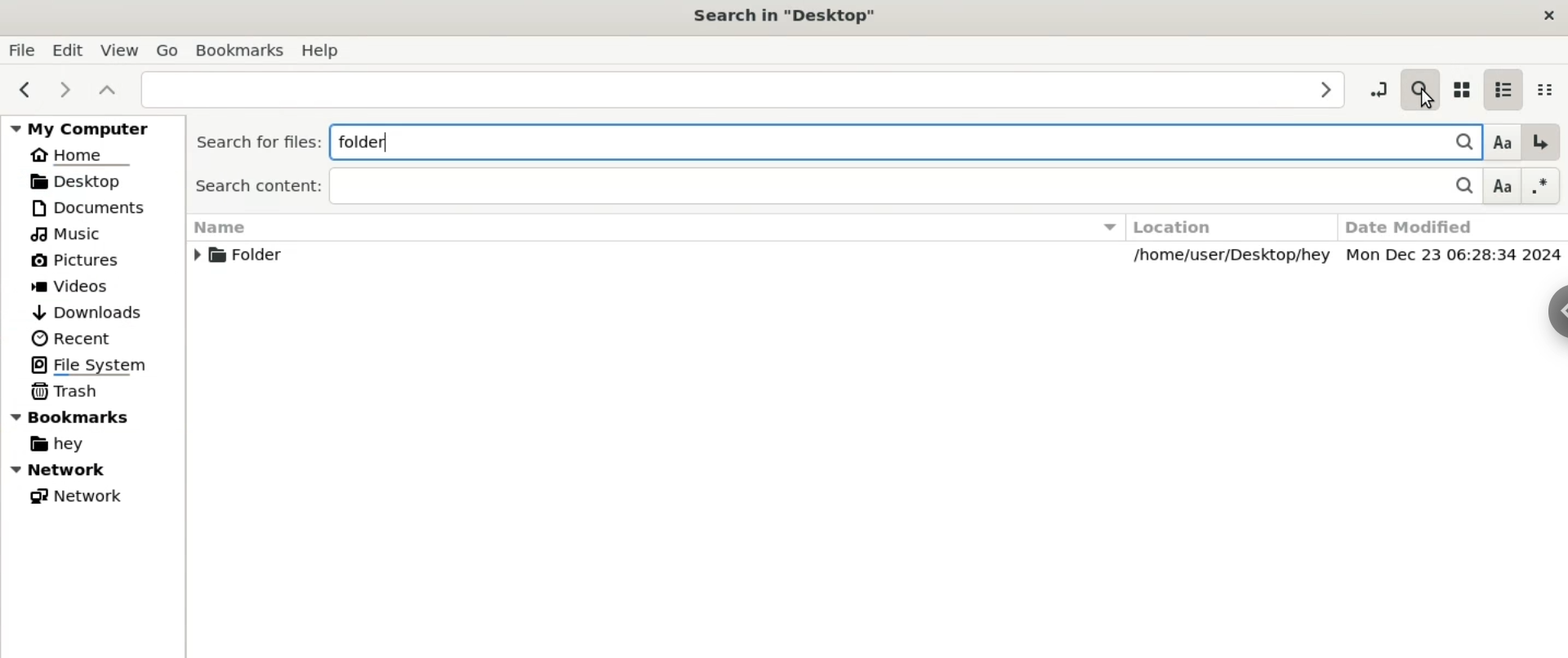  What do you see at coordinates (78, 285) in the screenshot?
I see `Videos` at bounding box center [78, 285].